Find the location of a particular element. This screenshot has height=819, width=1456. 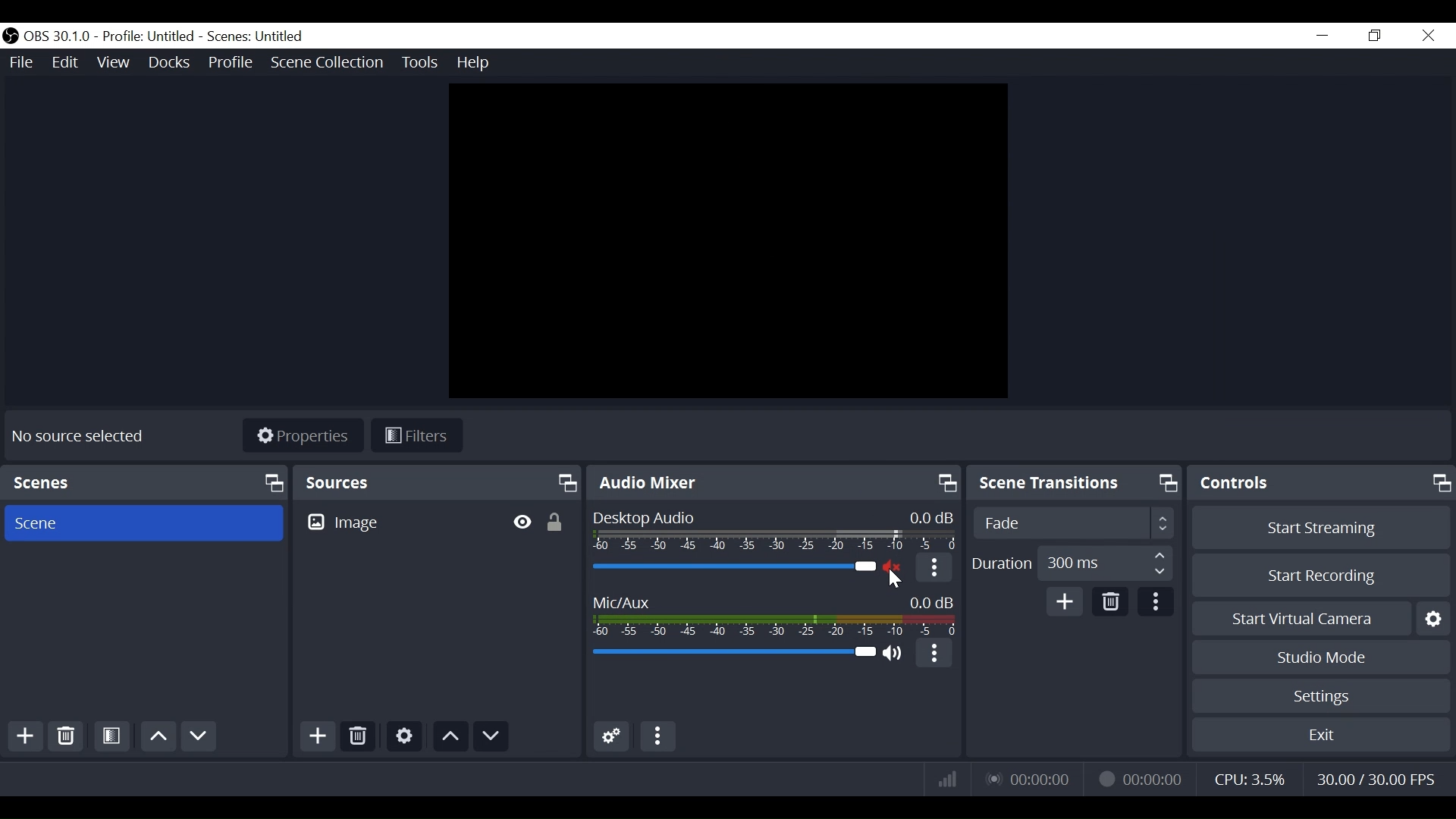

Preview is located at coordinates (730, 241).